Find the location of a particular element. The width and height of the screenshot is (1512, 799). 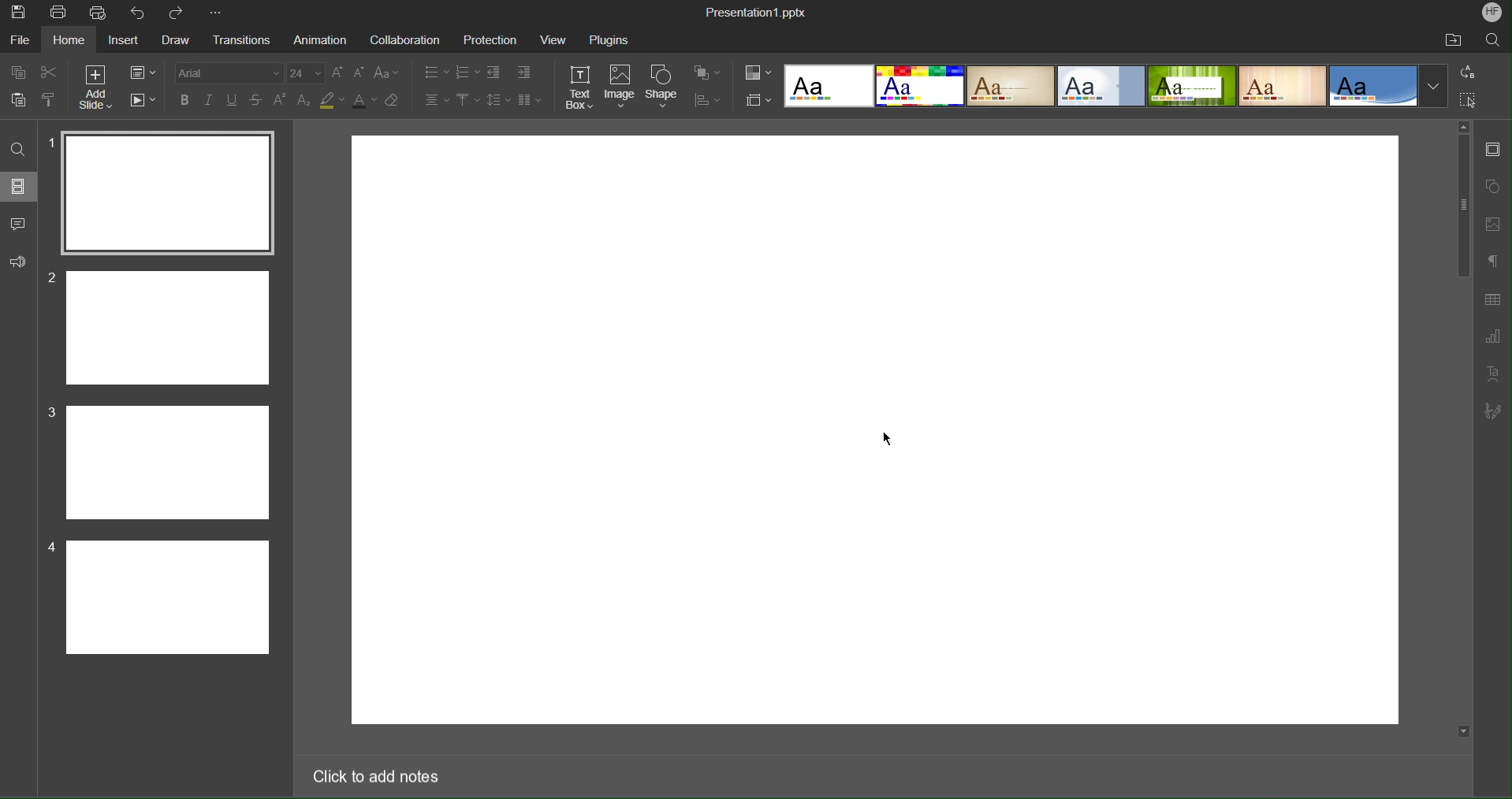

Slide Settings is located at coordinates (756, 99).